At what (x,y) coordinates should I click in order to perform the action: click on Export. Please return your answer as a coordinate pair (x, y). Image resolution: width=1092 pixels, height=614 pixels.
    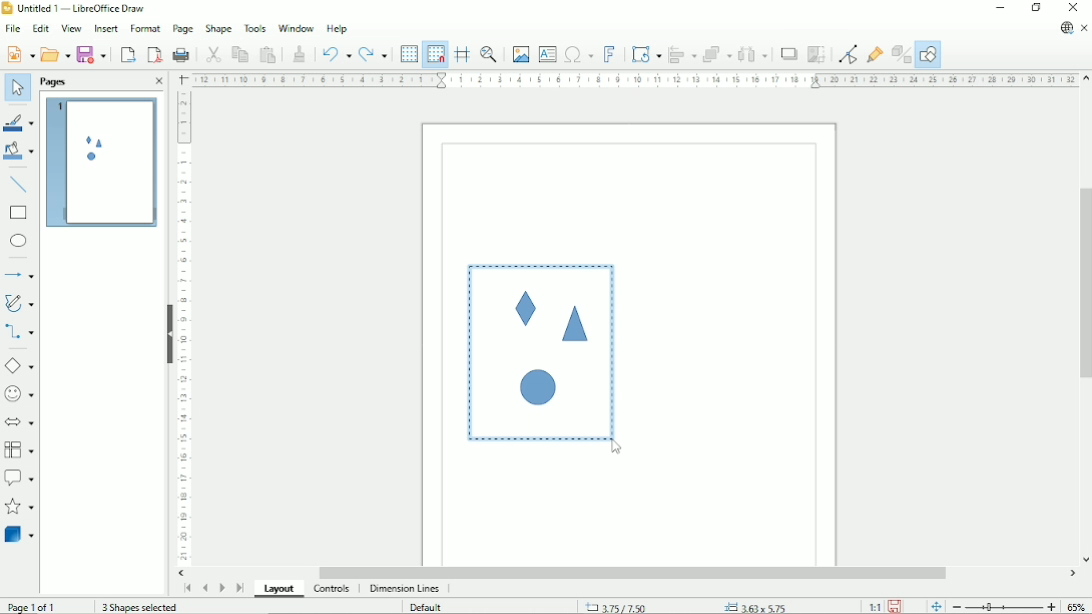
    Looking at the image, I should click on (127, 54).